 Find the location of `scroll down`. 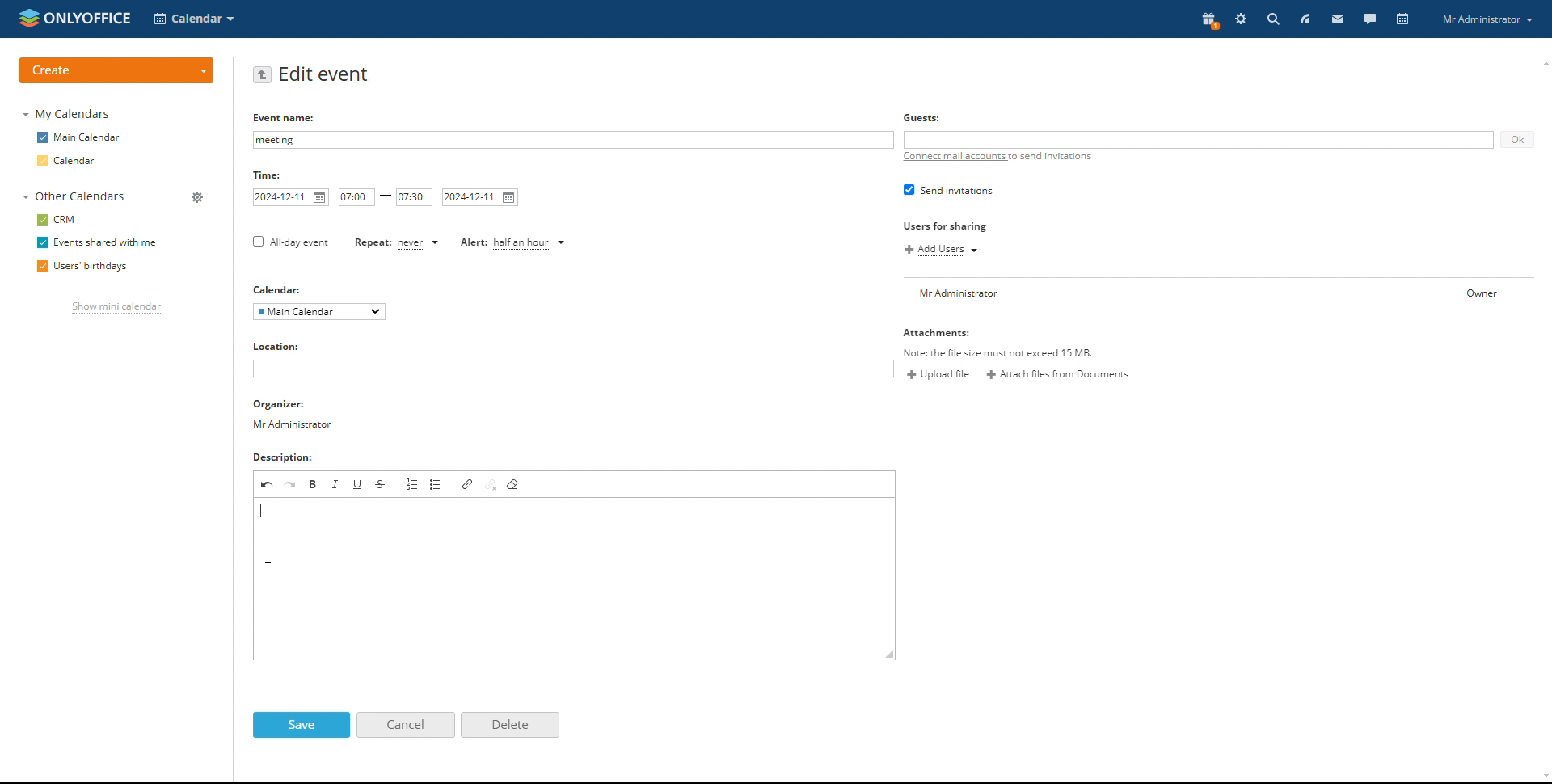

scroll down is located at coordinates (1542, 778).